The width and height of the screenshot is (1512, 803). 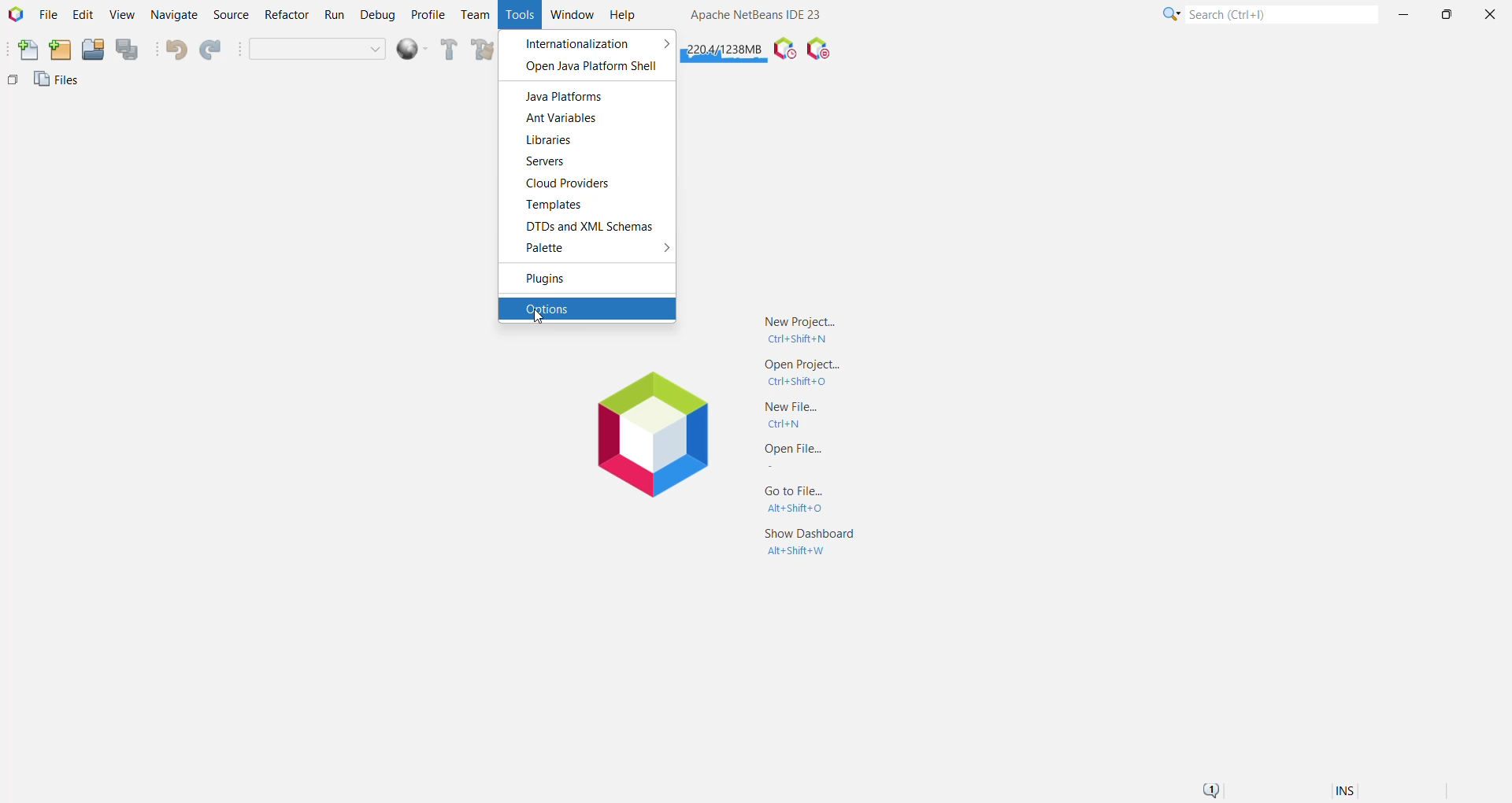 What do you see at coordinates (820, 50) in the screenshot?
I see `Pause I/O Checks` at bounding box center [820, 50].